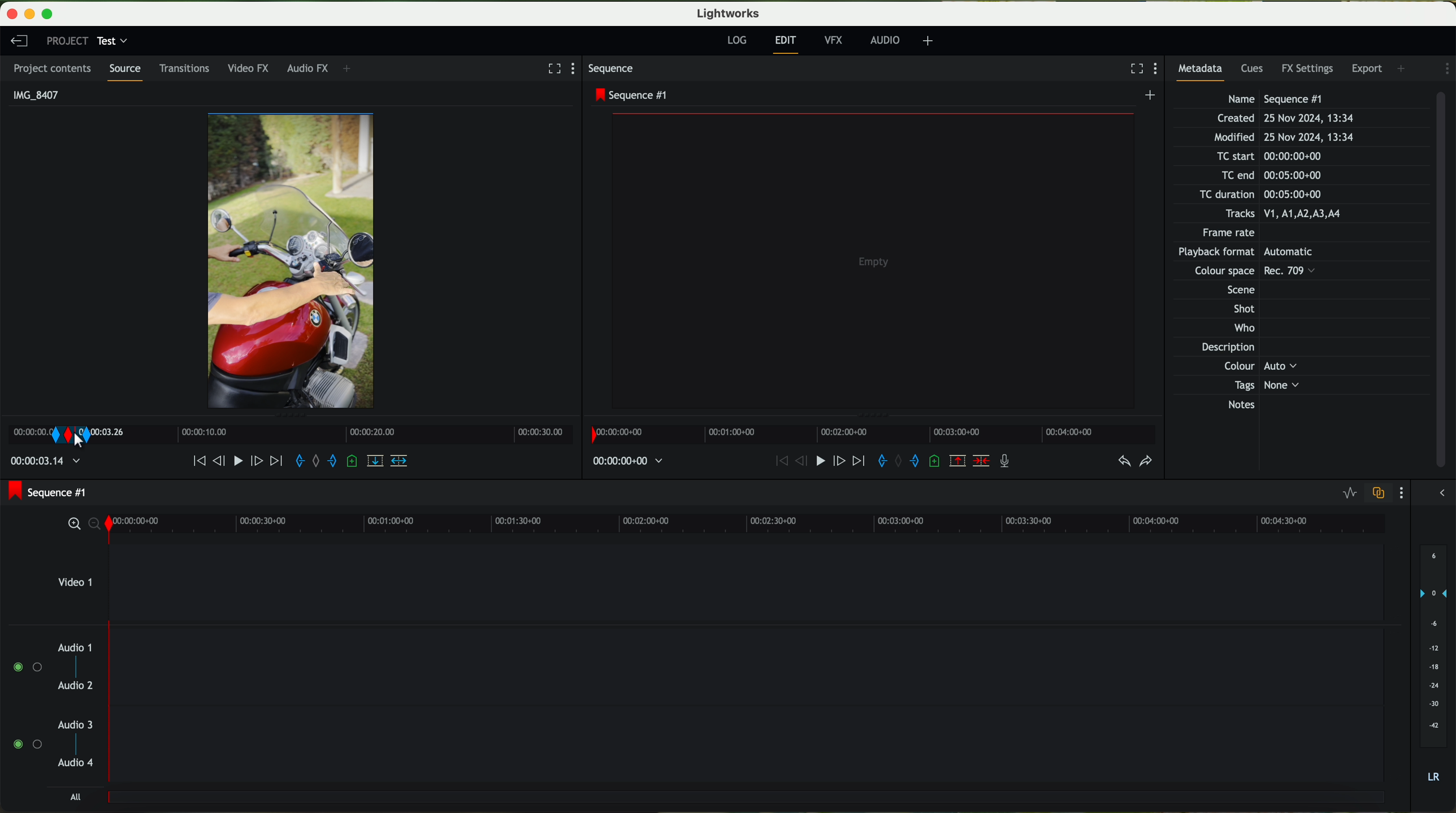  What do you see at coordinates (193, 461) in the screenshot?
I see `move backward` at bounding box center [193, 461].